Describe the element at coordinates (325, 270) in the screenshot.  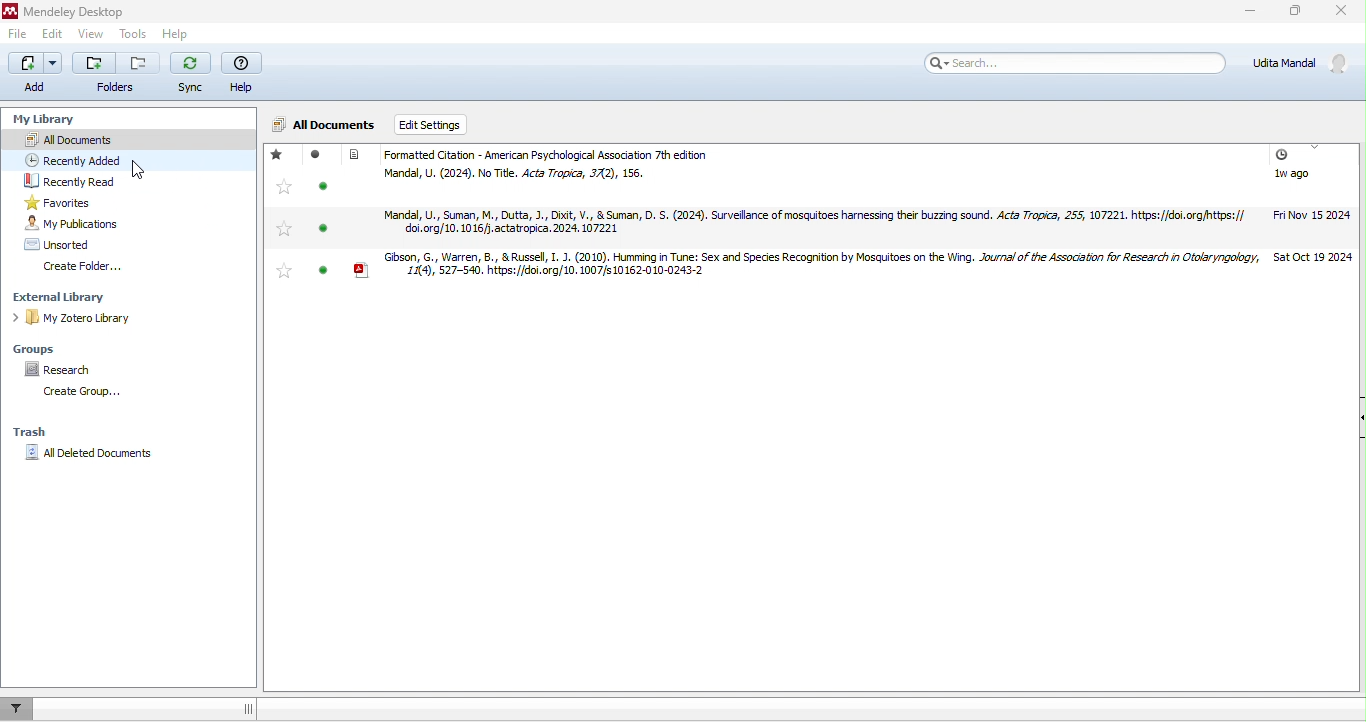
I see `` at that location.